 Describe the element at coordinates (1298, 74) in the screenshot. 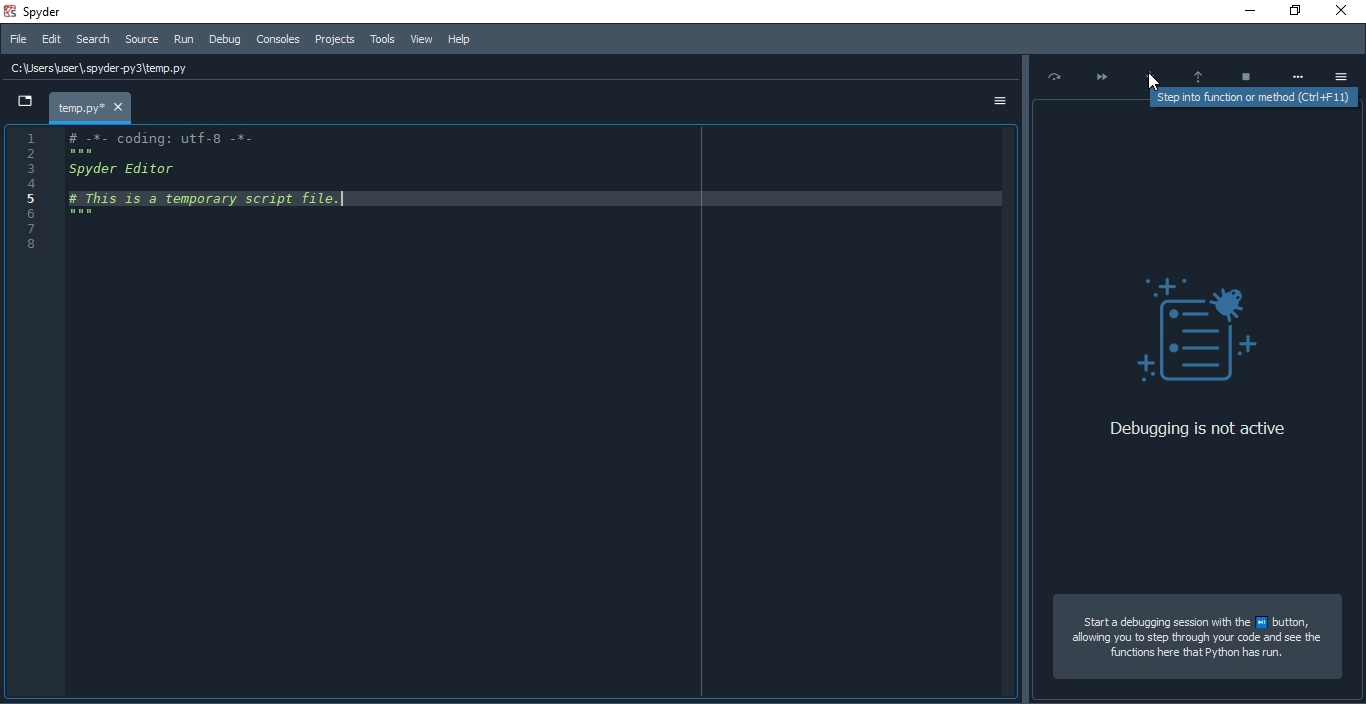

I see `More` at that location.